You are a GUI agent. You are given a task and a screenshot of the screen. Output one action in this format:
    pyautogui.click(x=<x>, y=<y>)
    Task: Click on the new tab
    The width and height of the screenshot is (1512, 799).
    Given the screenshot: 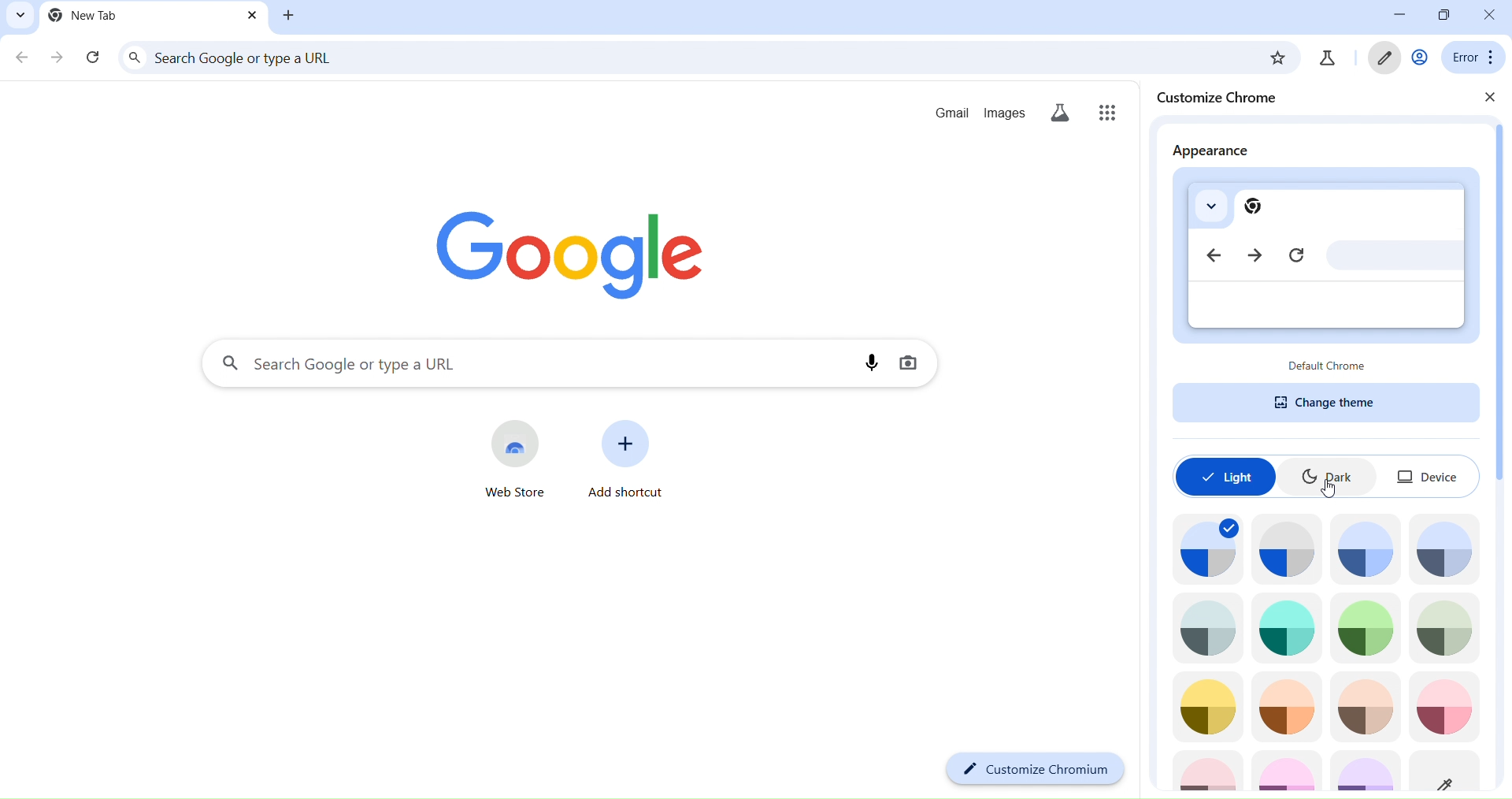 What is the action you would take?
    pyautogui.click(x=289, y=15)
    